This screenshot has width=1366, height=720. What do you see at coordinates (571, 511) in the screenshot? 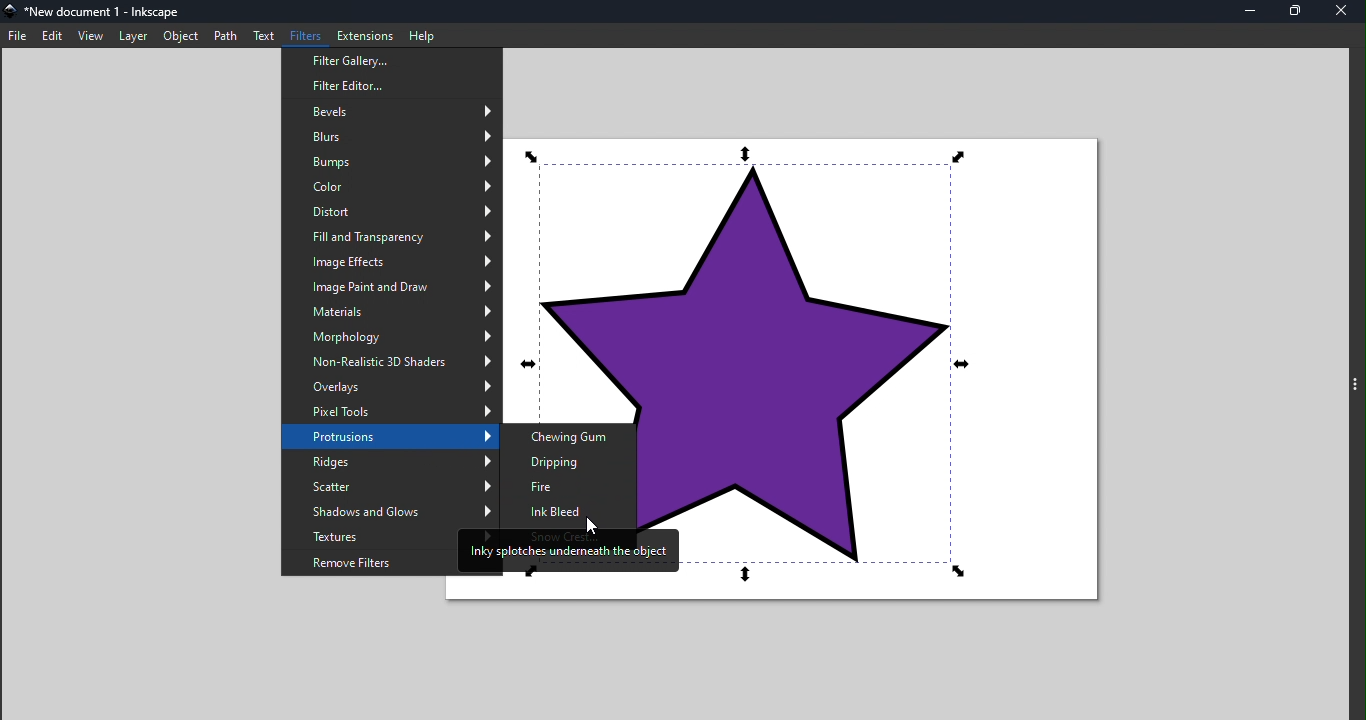
I see `Ink Bleed` at bounding box center [571, 511].